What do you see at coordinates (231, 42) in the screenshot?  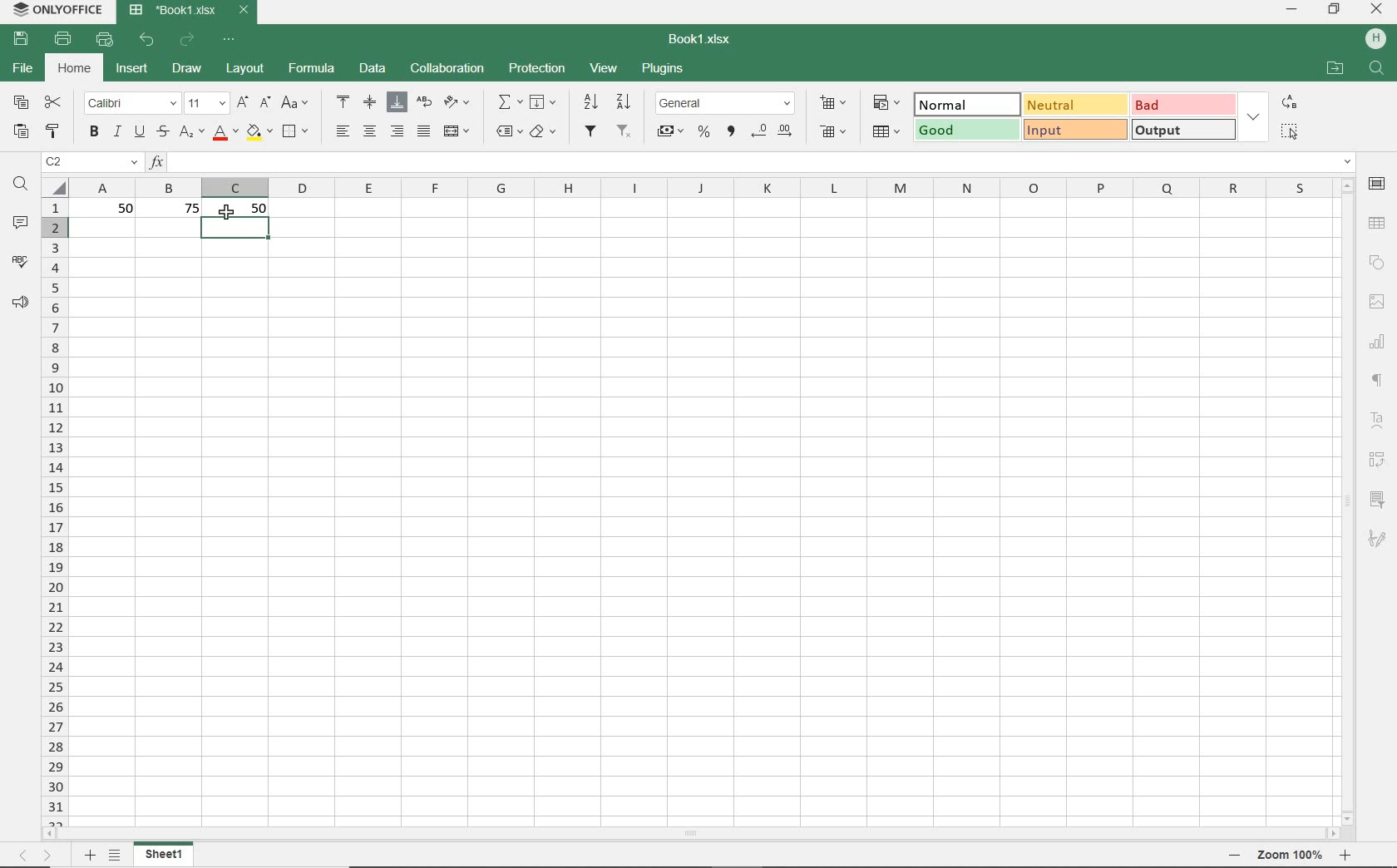 I see `customize quick access toolbar` at bounding box center [231, 42].